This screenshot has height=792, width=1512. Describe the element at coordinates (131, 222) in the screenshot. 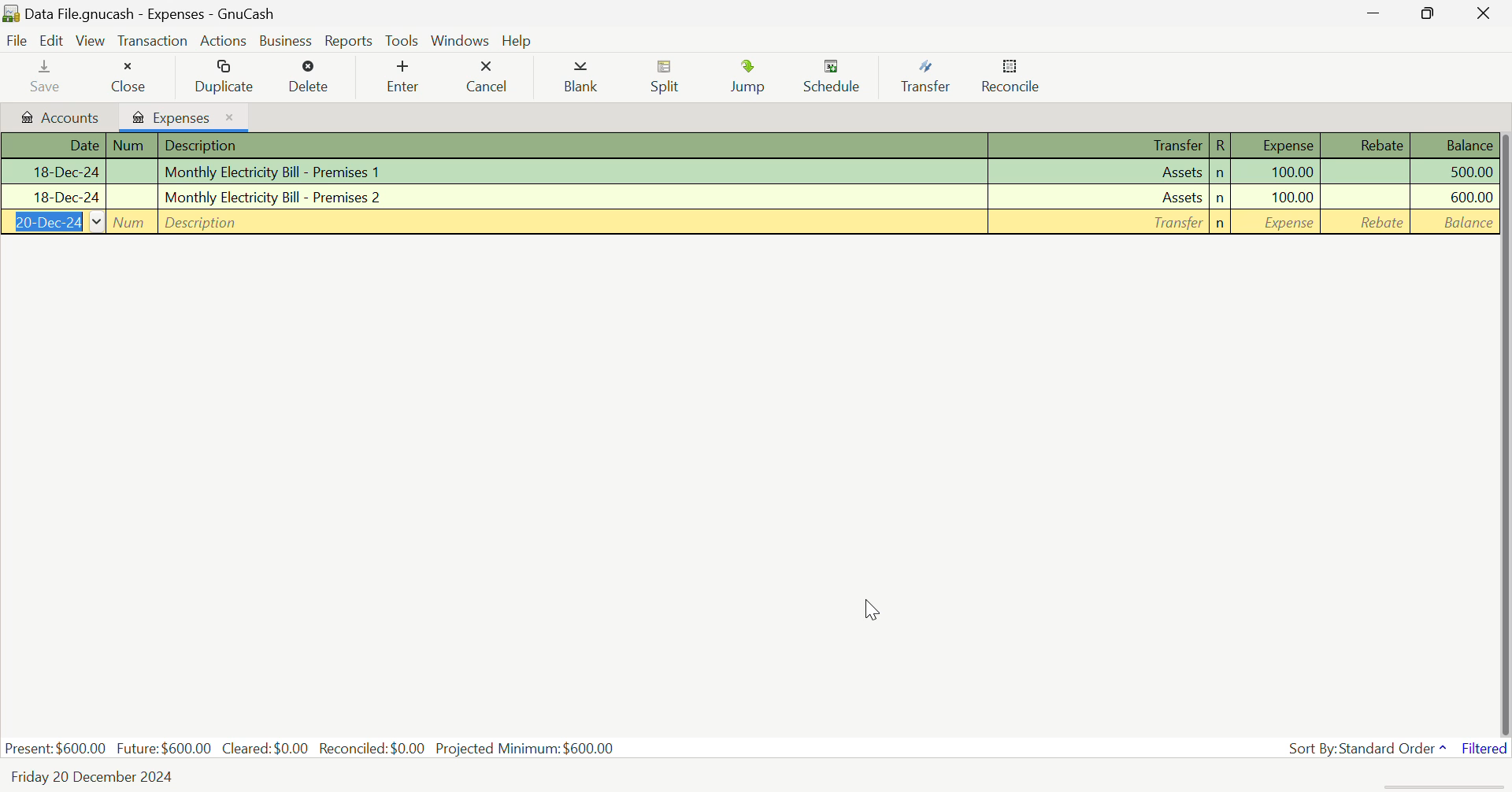

I see `Num` at that location.